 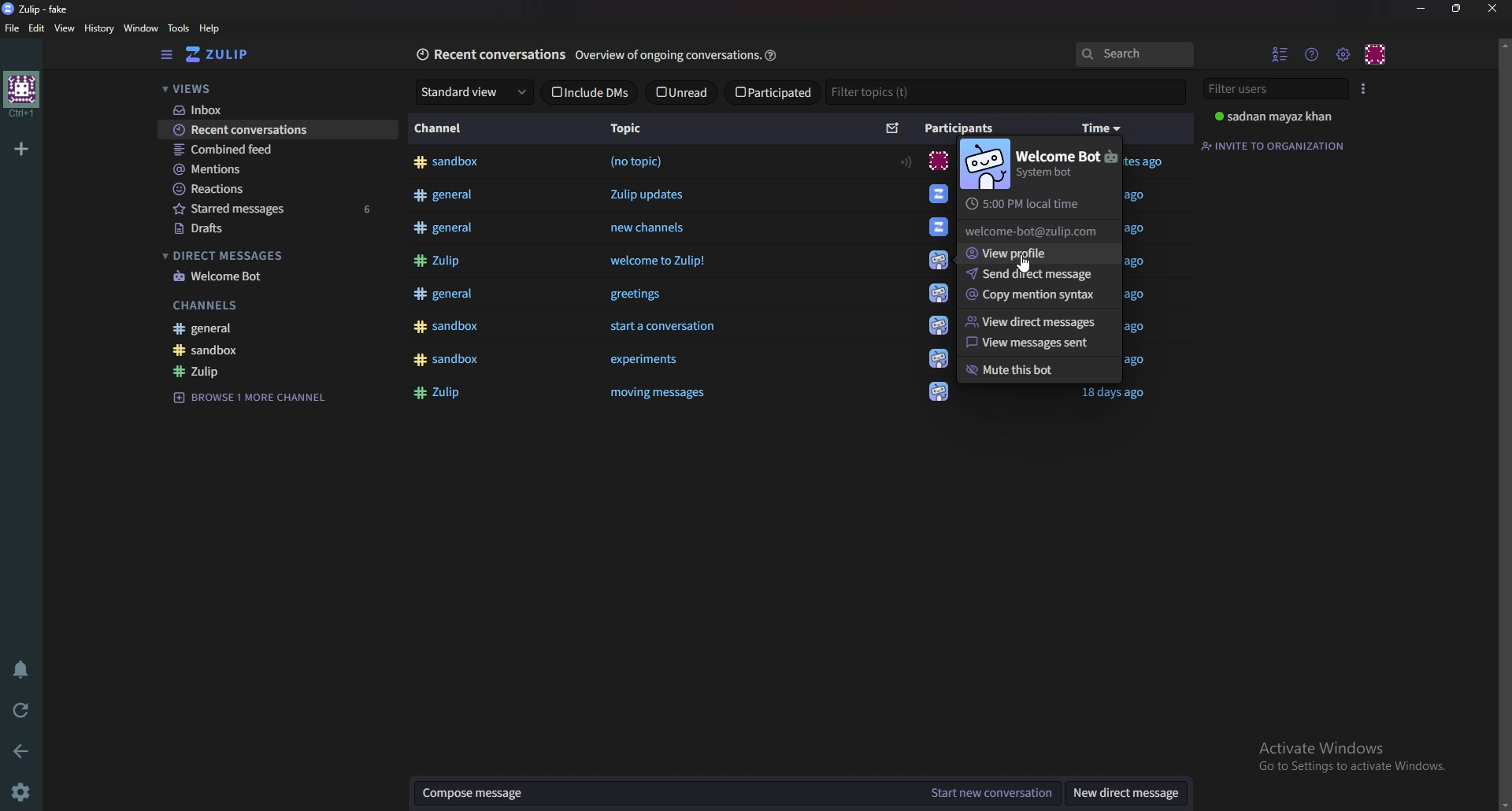 What do you see at coordinates (1421, 9) in the screenshot?
I see `Minimize` at bounding box center [1421, 9].